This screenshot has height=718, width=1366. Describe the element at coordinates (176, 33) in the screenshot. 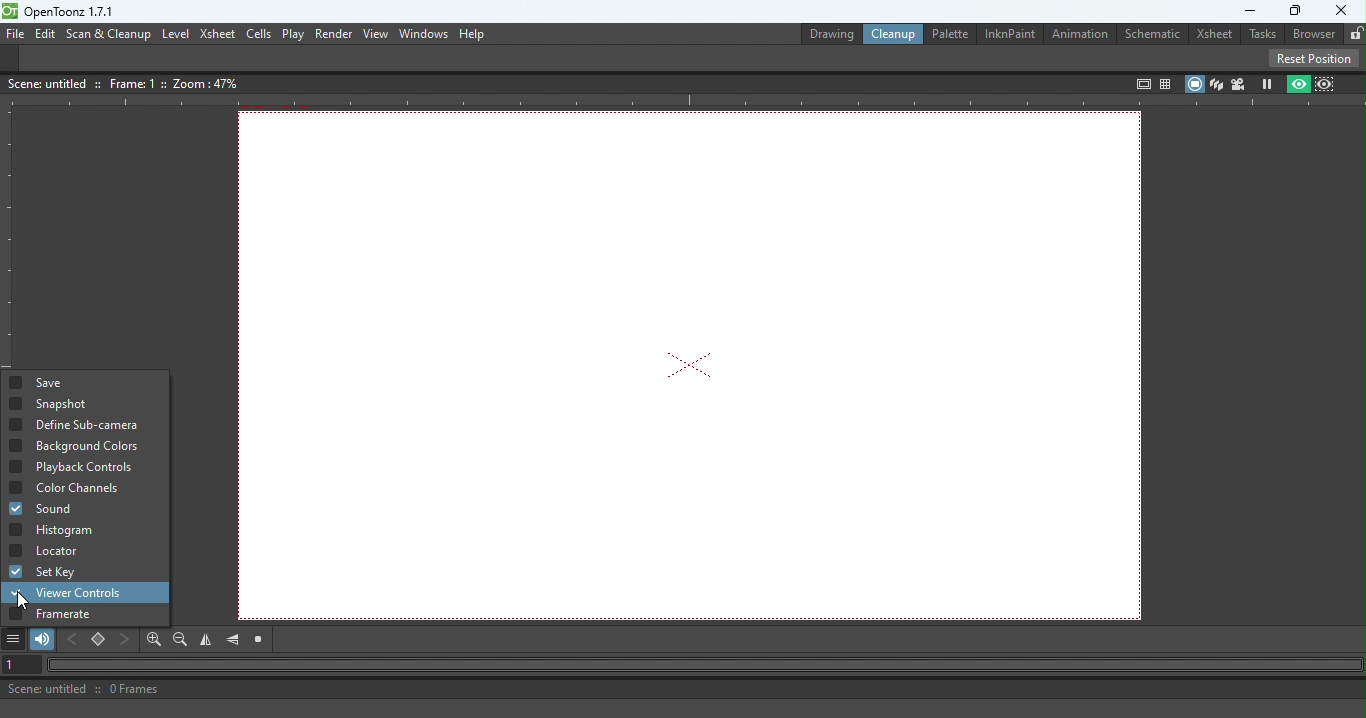

I see `Level` at that location.